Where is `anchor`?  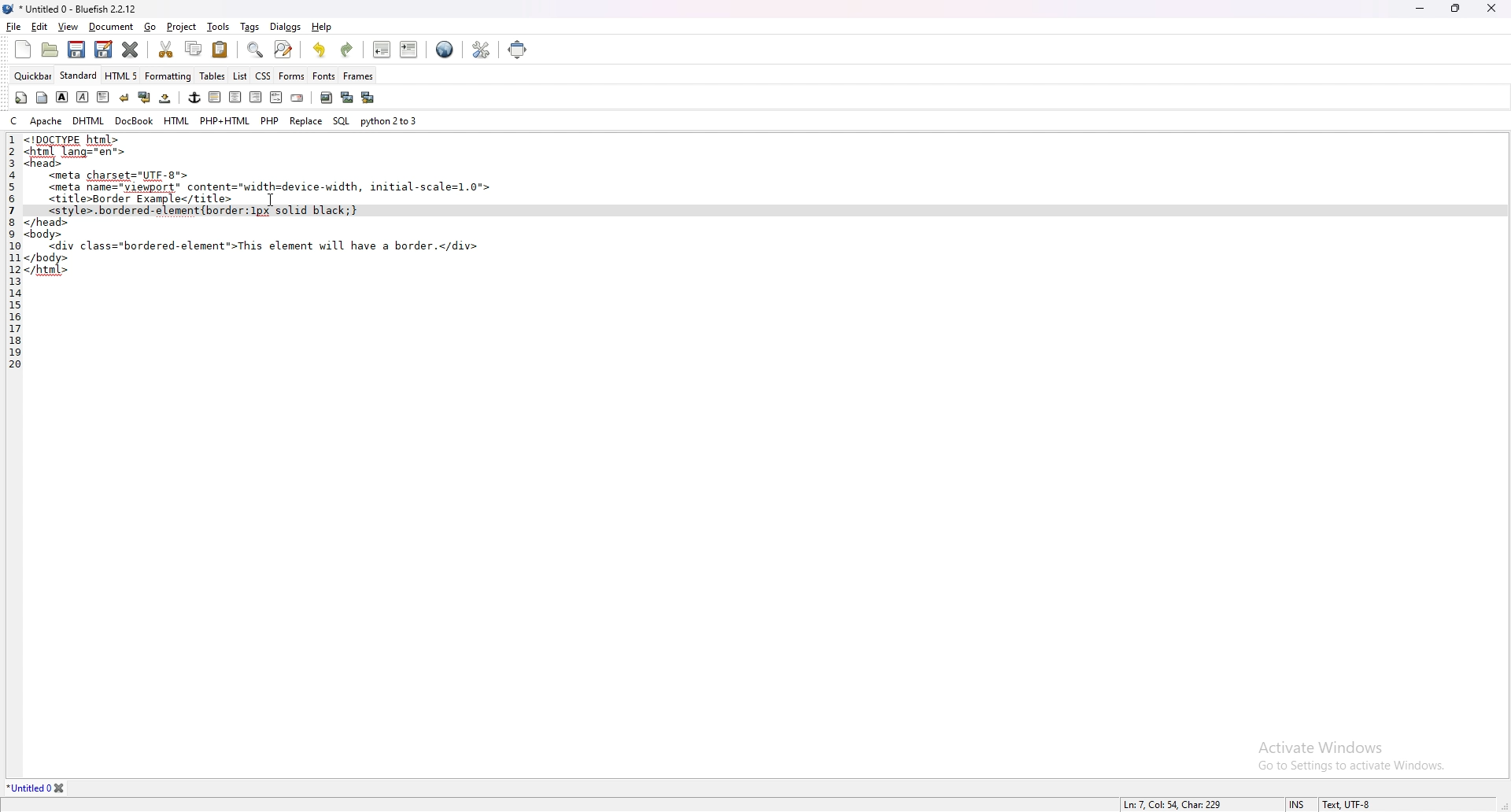 anchor is located at coordinates (194, 98).